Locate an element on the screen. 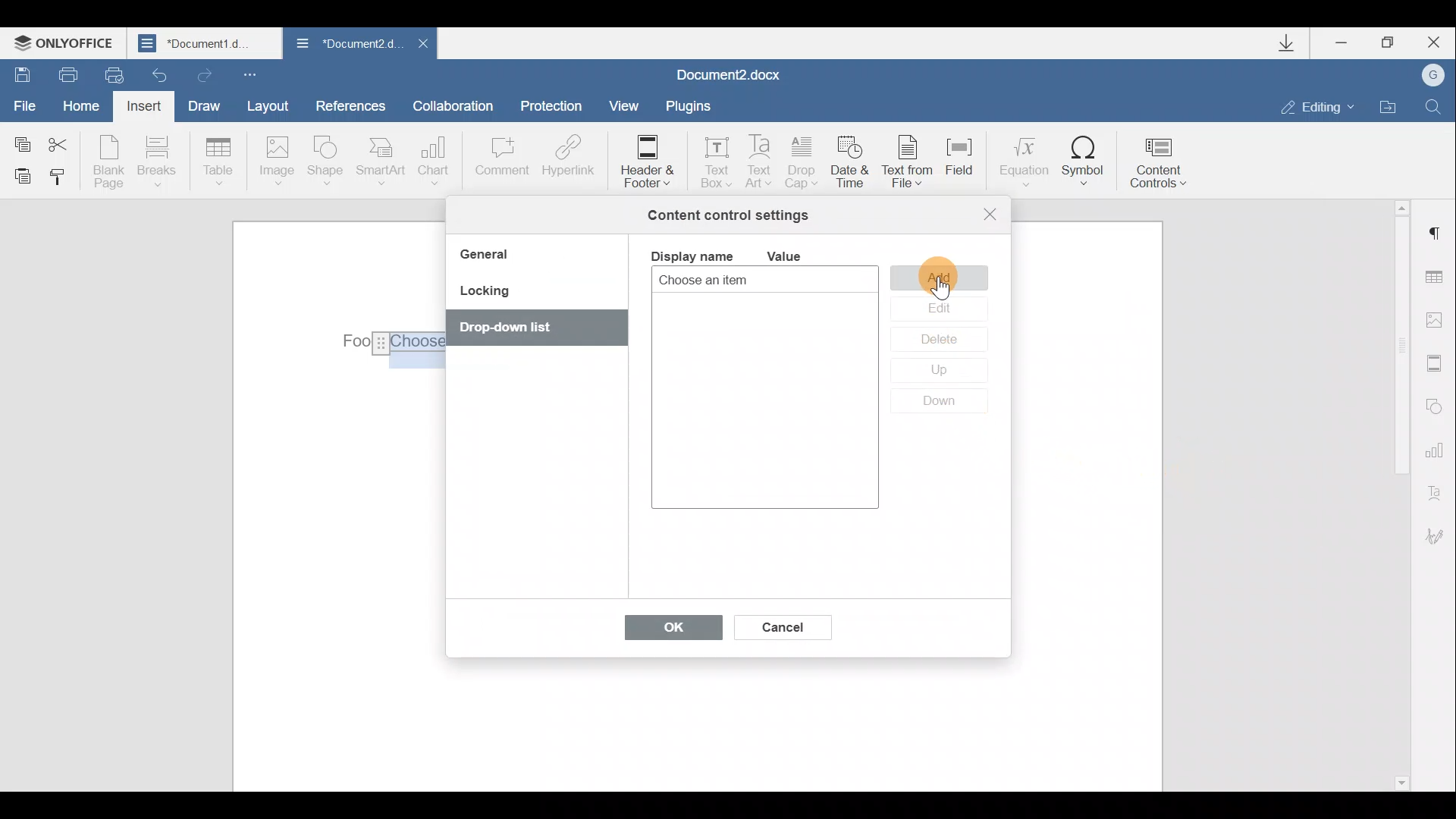  Downloads is located at coordinates (1292, 43).